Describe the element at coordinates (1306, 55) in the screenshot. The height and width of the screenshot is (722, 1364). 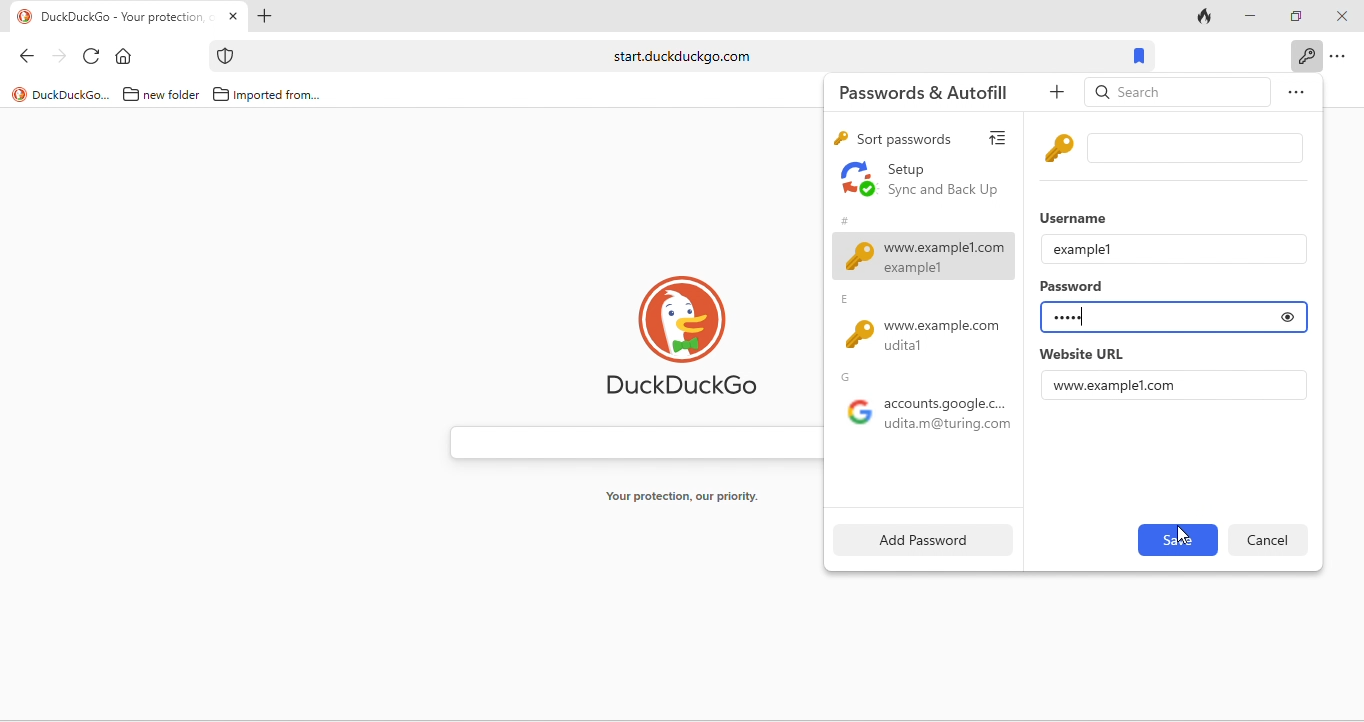
I see `key icon to show passwords and auto fills when clicked` at that location.